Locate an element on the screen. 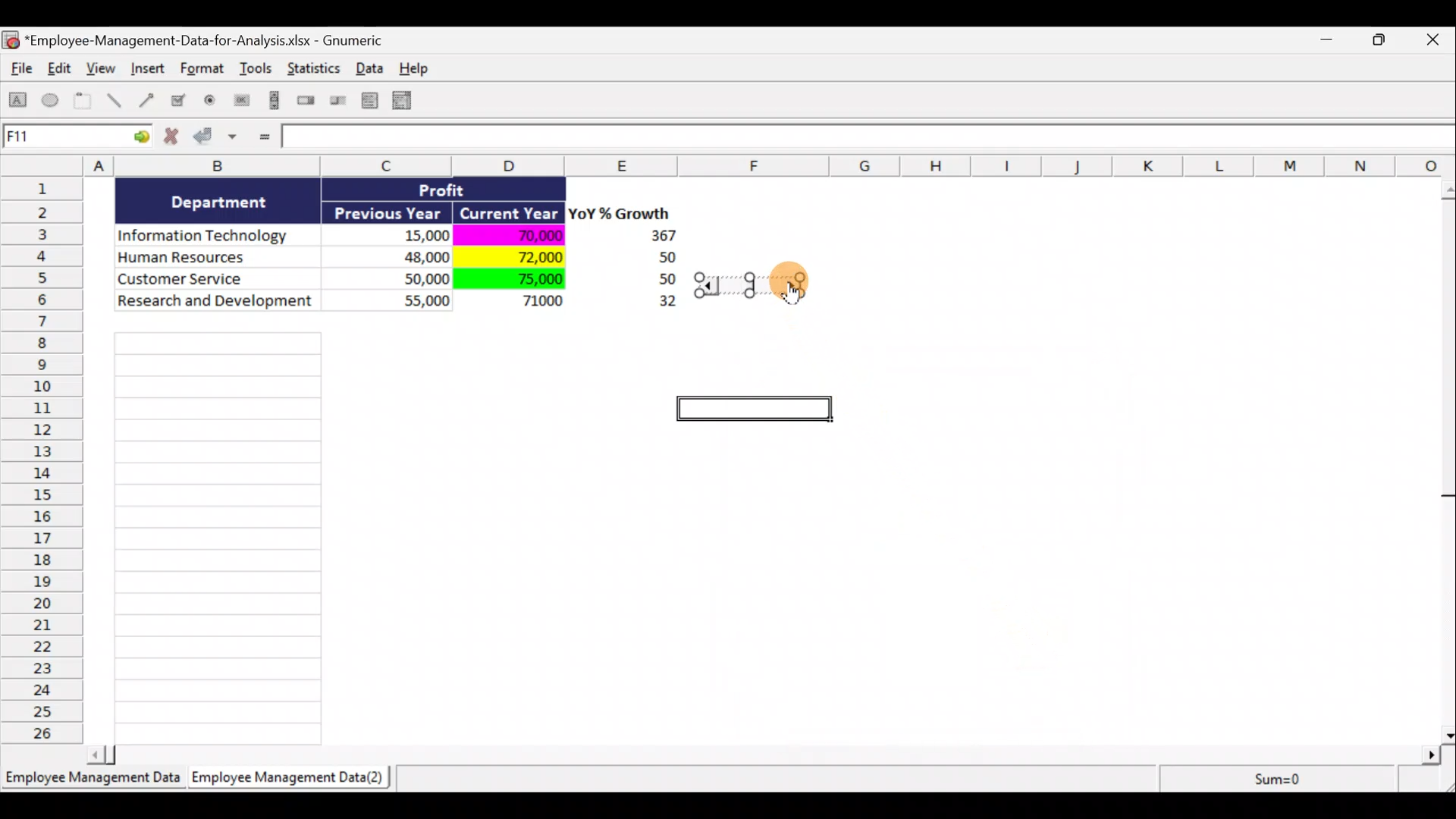 This screenshot has width=1456, height=819. Tools is located at coordinates (258, 71).